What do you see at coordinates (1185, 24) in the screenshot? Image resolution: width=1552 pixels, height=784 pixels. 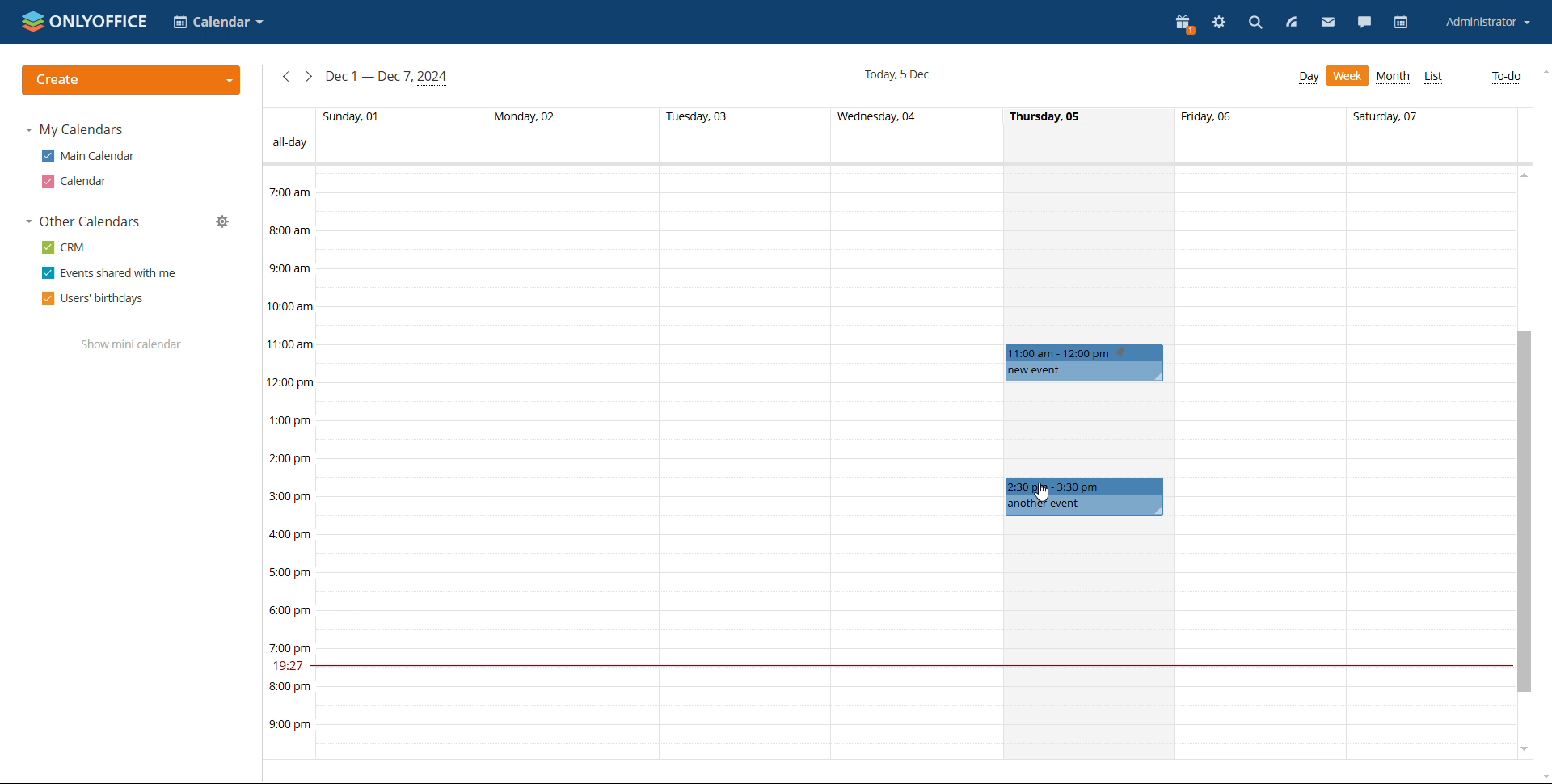 I see `present` at bounding box center [1185, 24].